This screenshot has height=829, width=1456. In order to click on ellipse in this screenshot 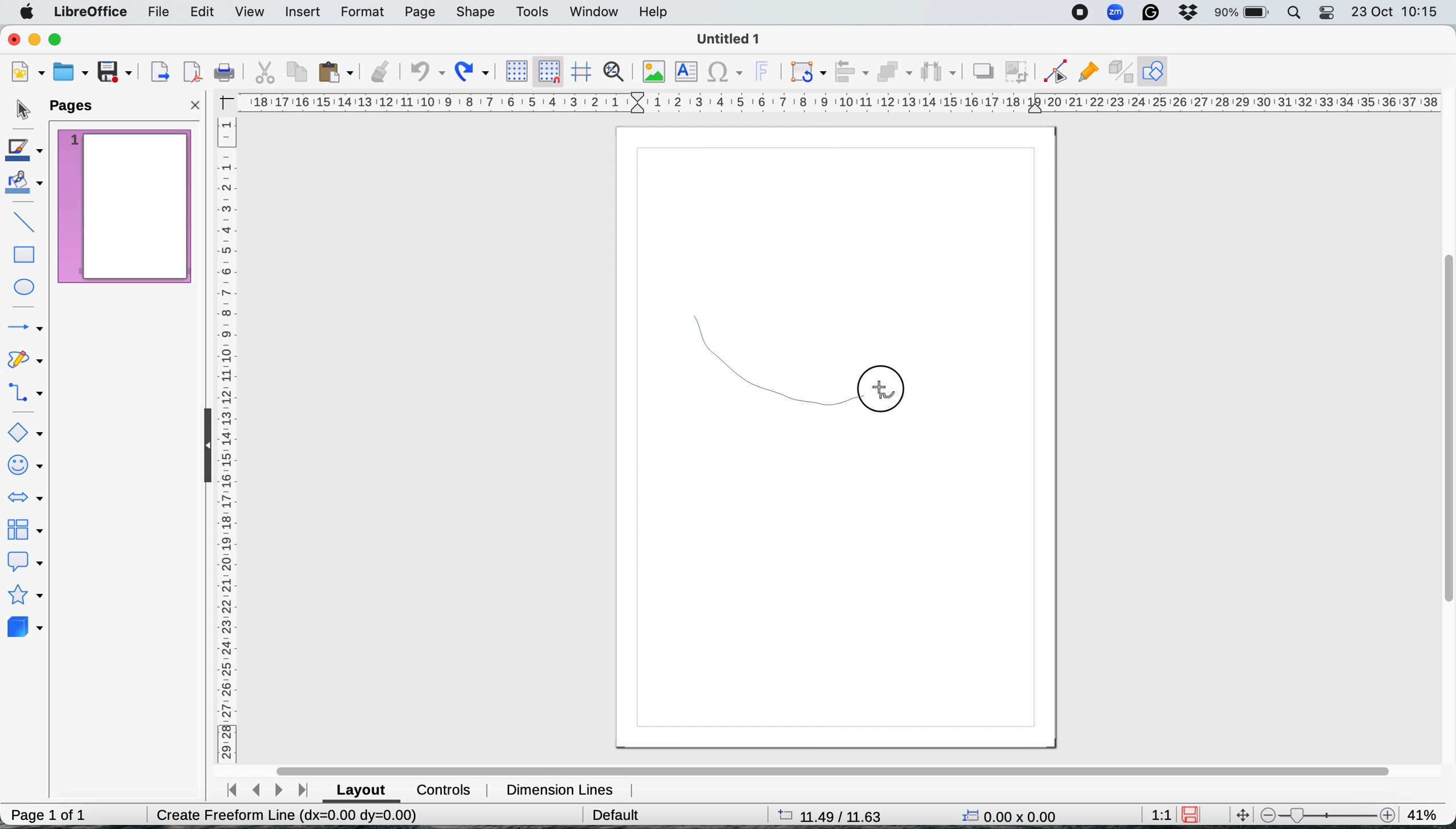, I will do `click(27, 284)`.